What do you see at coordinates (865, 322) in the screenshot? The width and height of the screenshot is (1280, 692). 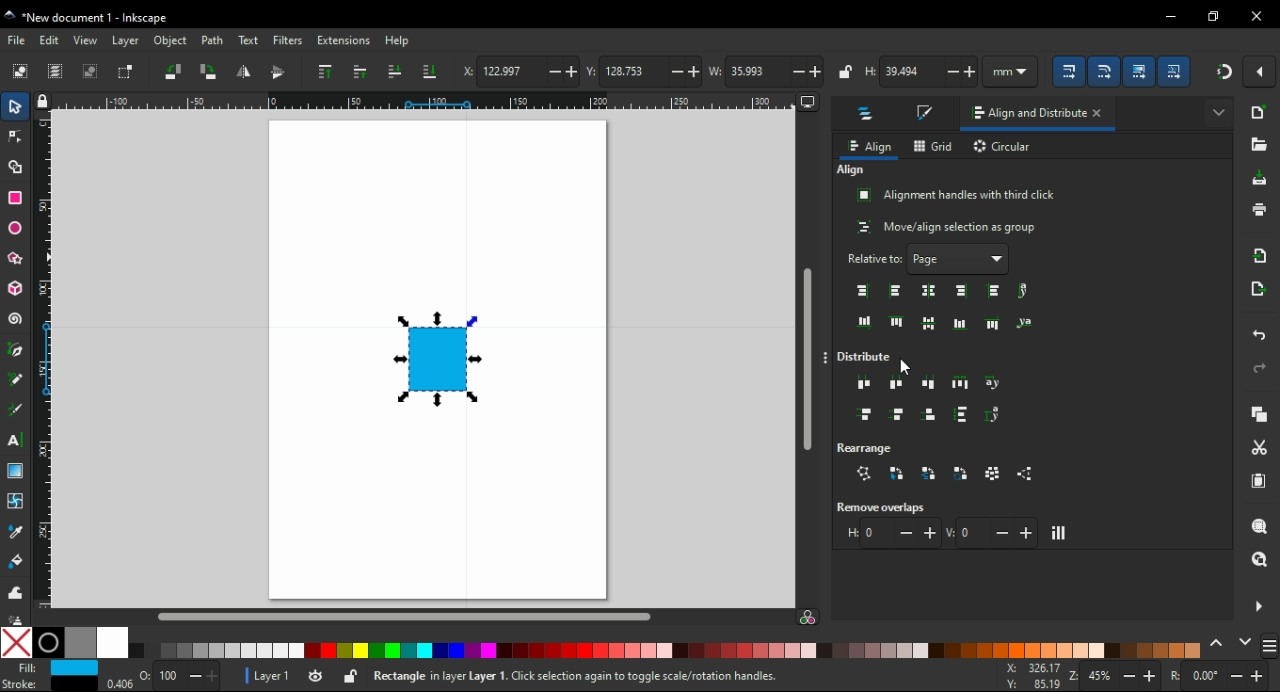 I see `align bottom edge of objects to top edge of anchor` at bounding box center [865, 322].